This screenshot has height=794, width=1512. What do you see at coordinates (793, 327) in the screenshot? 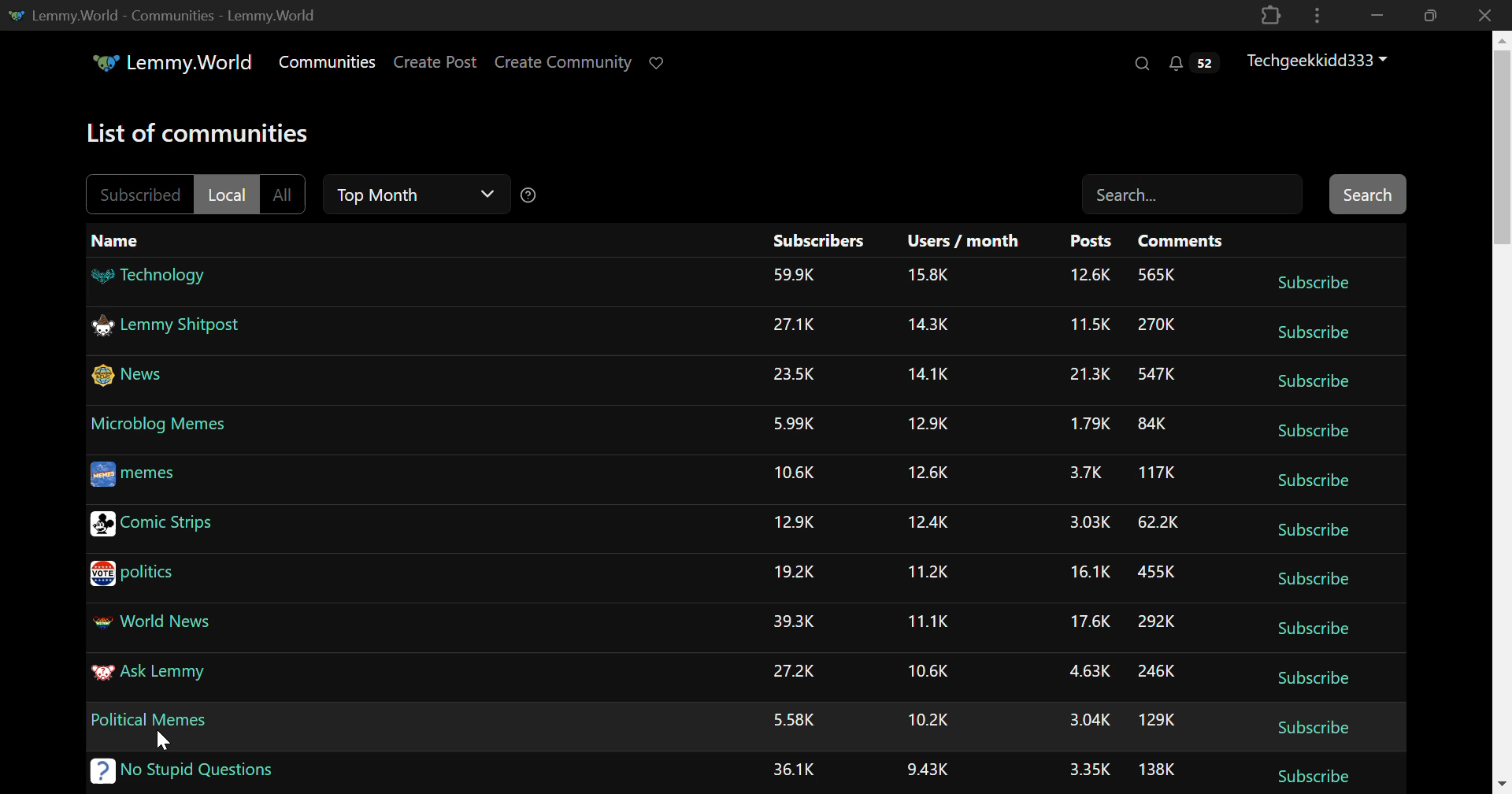
I see `Amount` at bounding box center [793, 327].